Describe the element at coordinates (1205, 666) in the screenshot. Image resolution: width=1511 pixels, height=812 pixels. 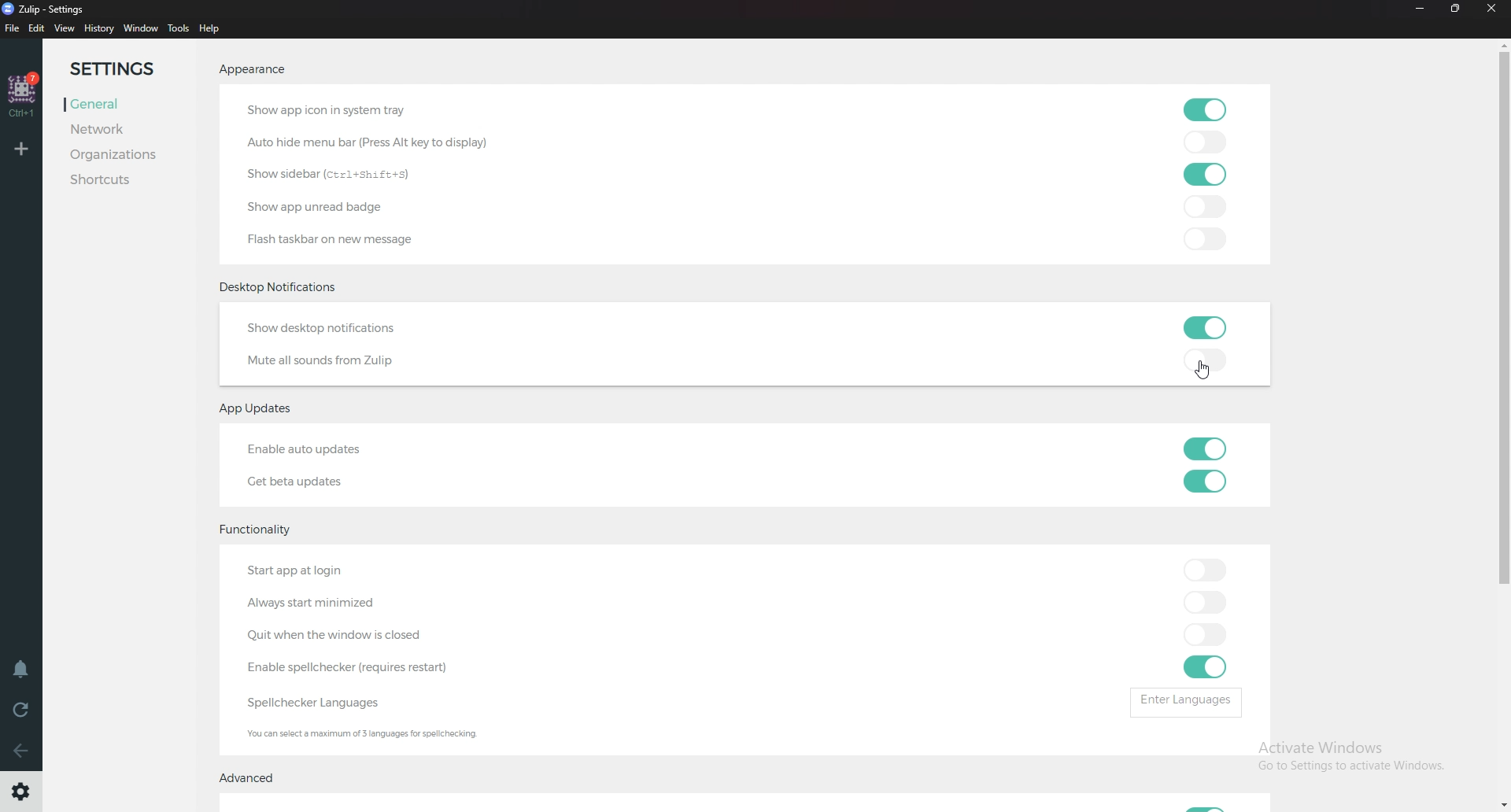
I see `toggle` at that location.